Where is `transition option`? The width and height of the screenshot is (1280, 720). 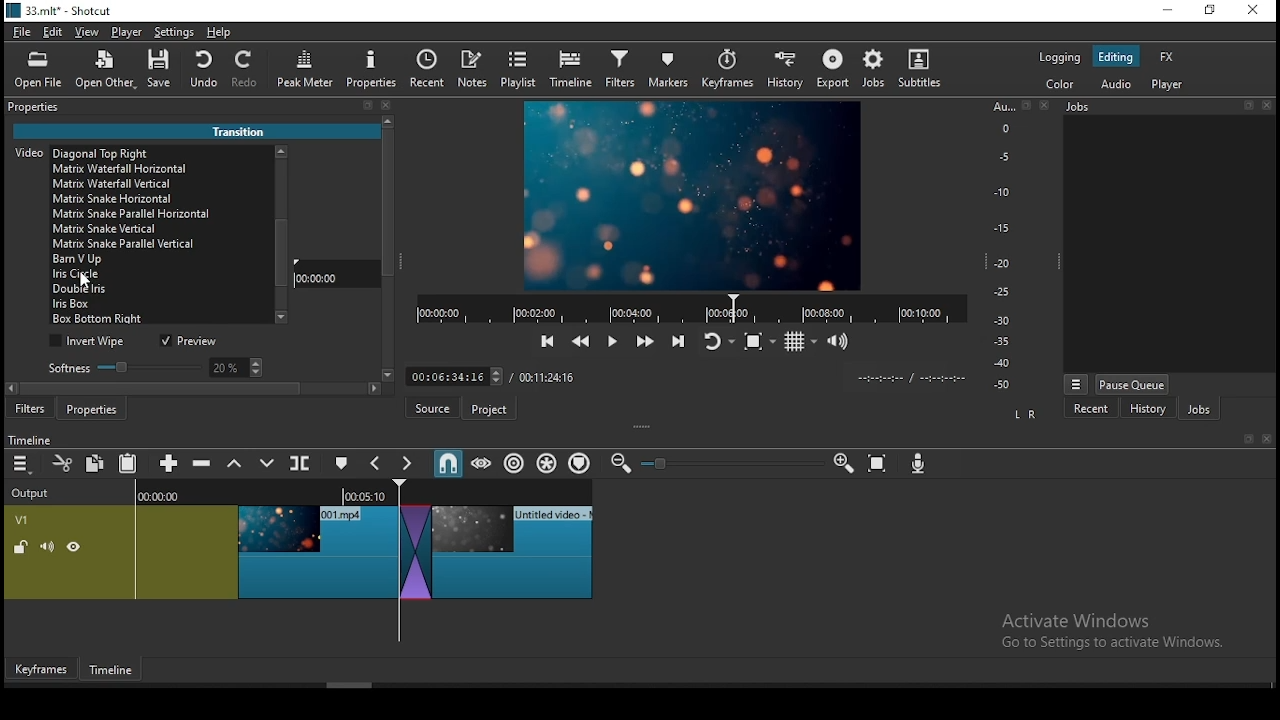
transition option is located at coordinates (158, 170).